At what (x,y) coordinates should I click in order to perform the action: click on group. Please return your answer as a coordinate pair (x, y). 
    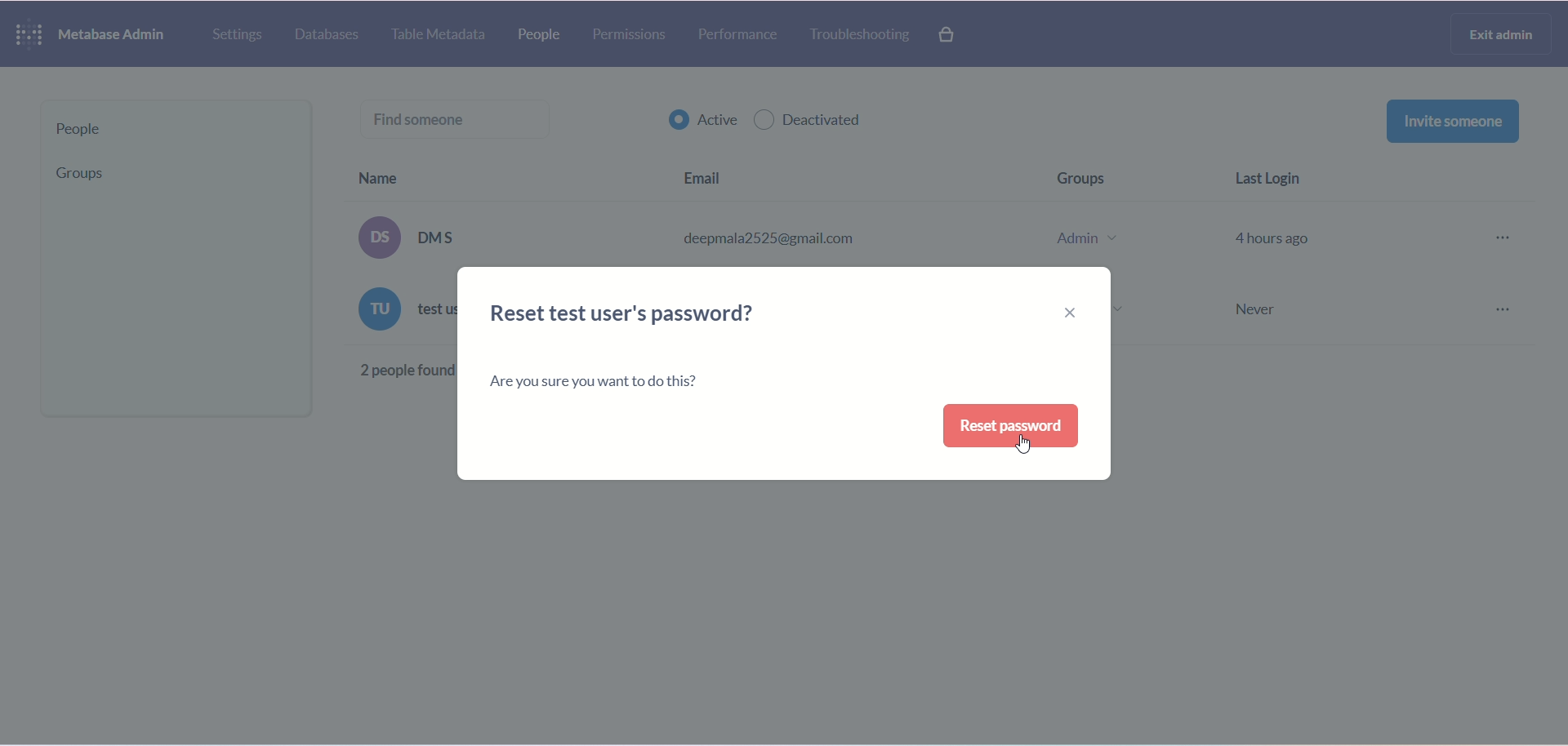
    Looking at the image, I should click on (78, 178).